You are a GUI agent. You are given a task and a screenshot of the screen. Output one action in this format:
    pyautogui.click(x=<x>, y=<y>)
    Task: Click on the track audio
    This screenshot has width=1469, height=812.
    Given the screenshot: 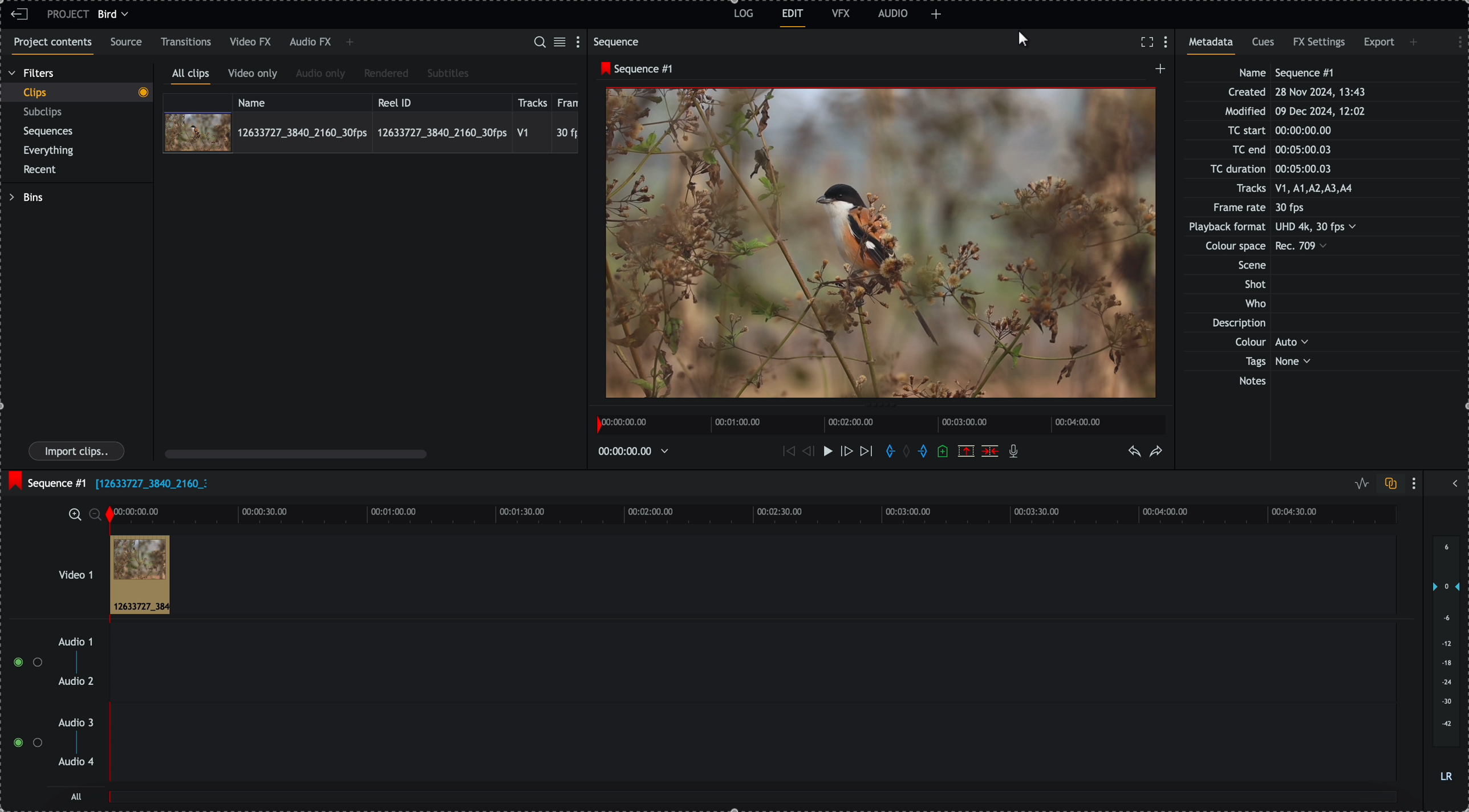 What is the action you would take?
    pyautogui.click(x=752, y=749)
    